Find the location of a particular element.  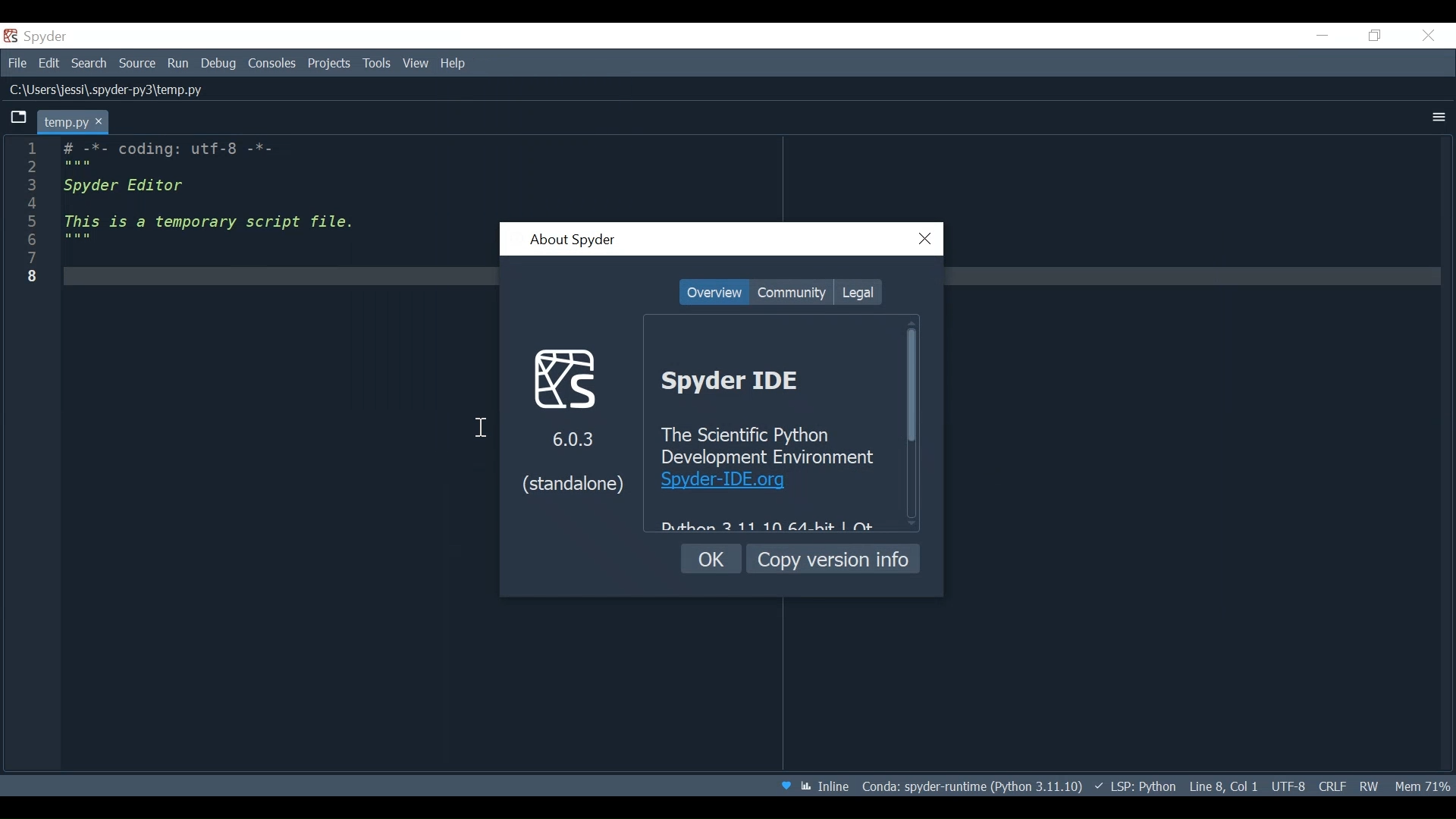

Spyder Desktop icon is located at coordinates (36, 36).